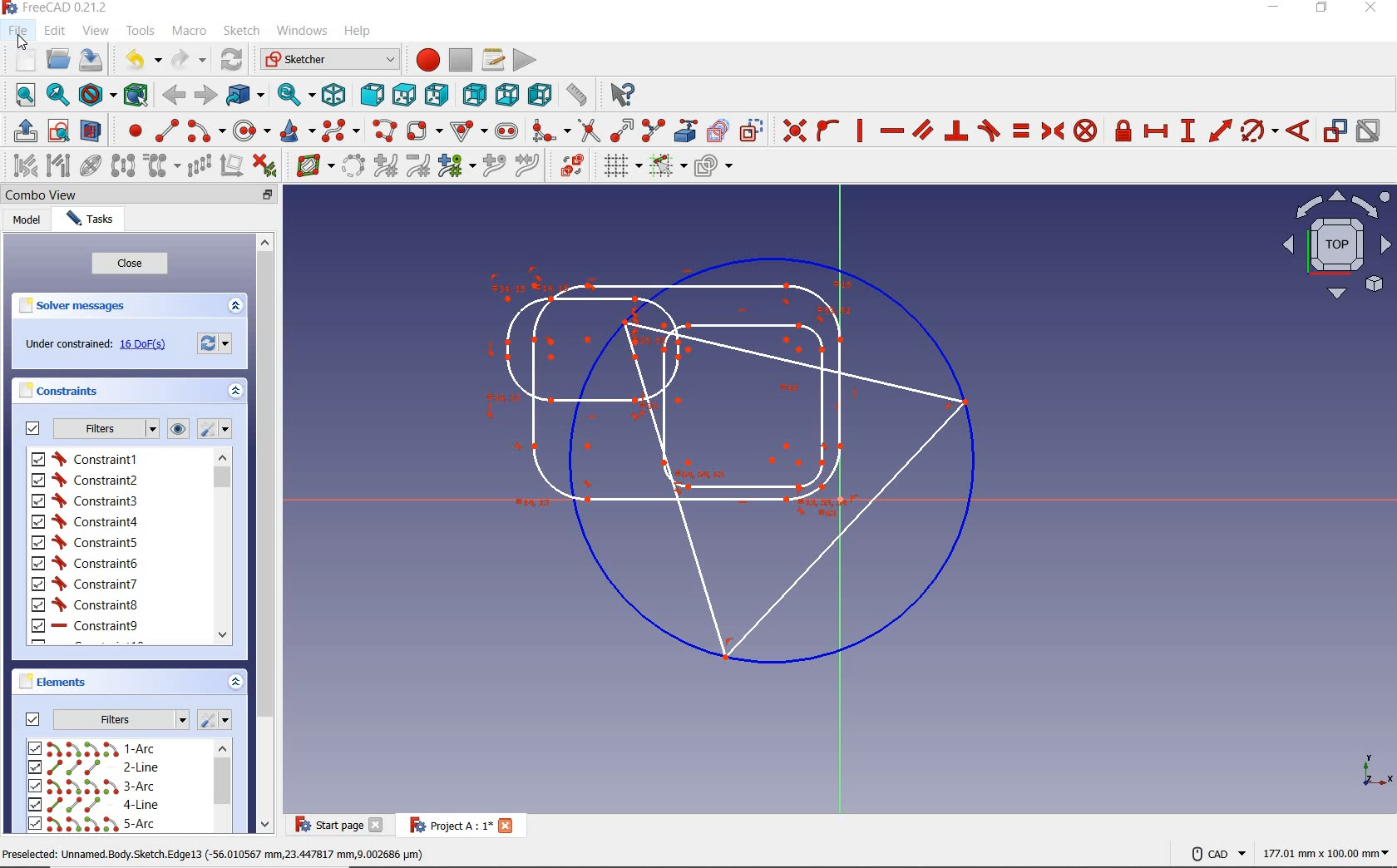  I want to click on undo, so click(141, 60).